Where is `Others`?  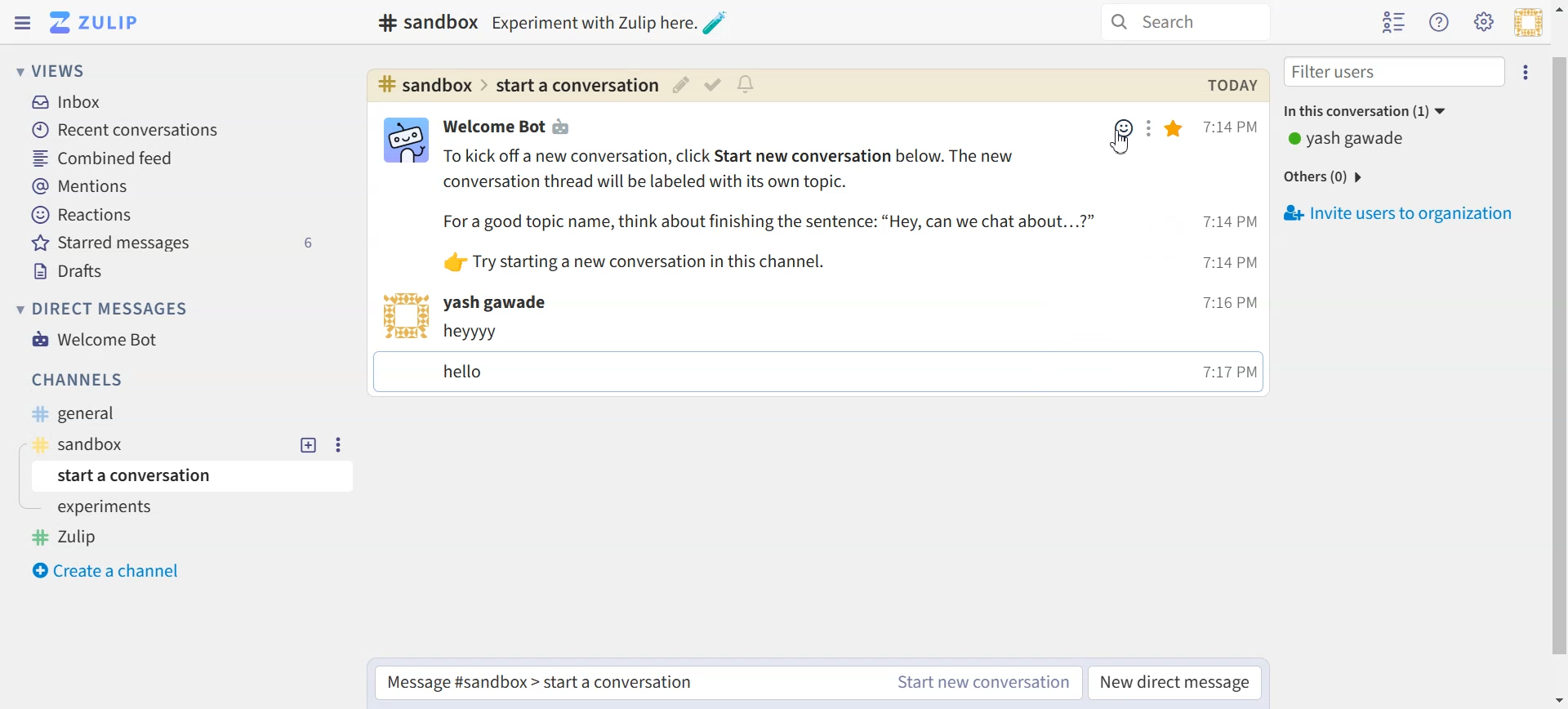 Others is located at coordinates (1327, 177).